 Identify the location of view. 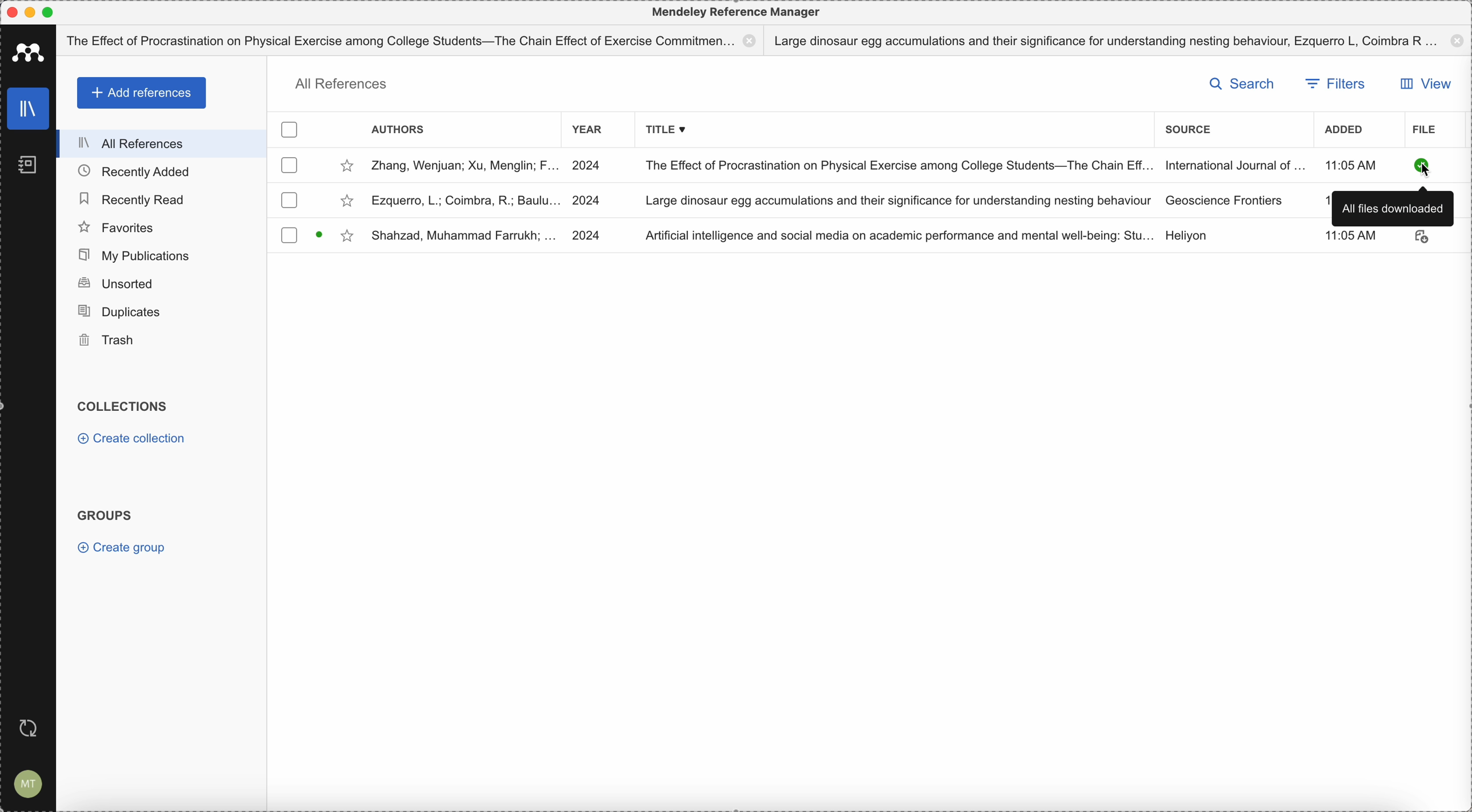
(1427, 84).